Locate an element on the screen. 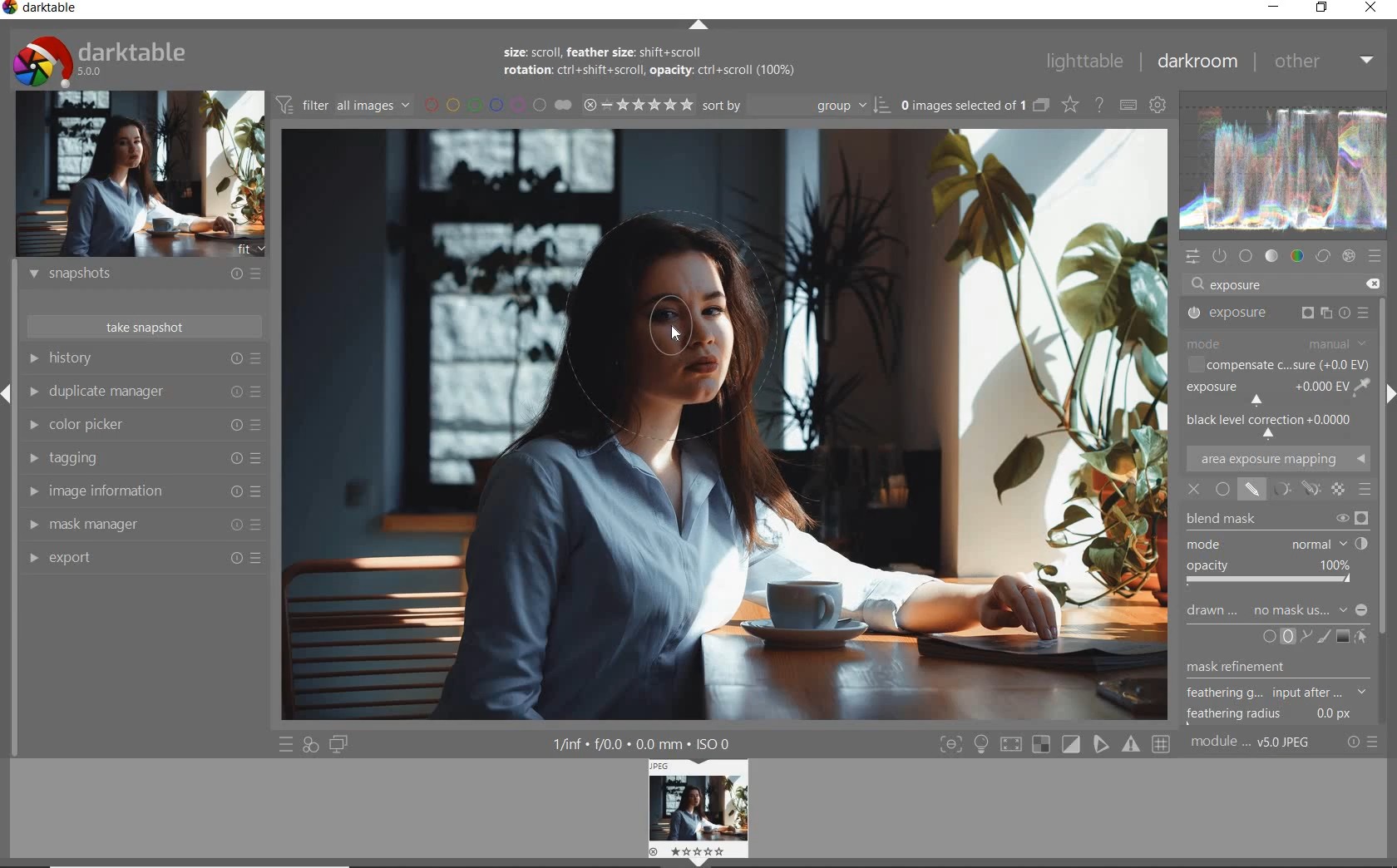  image preview is located at coordinates (695, 812).